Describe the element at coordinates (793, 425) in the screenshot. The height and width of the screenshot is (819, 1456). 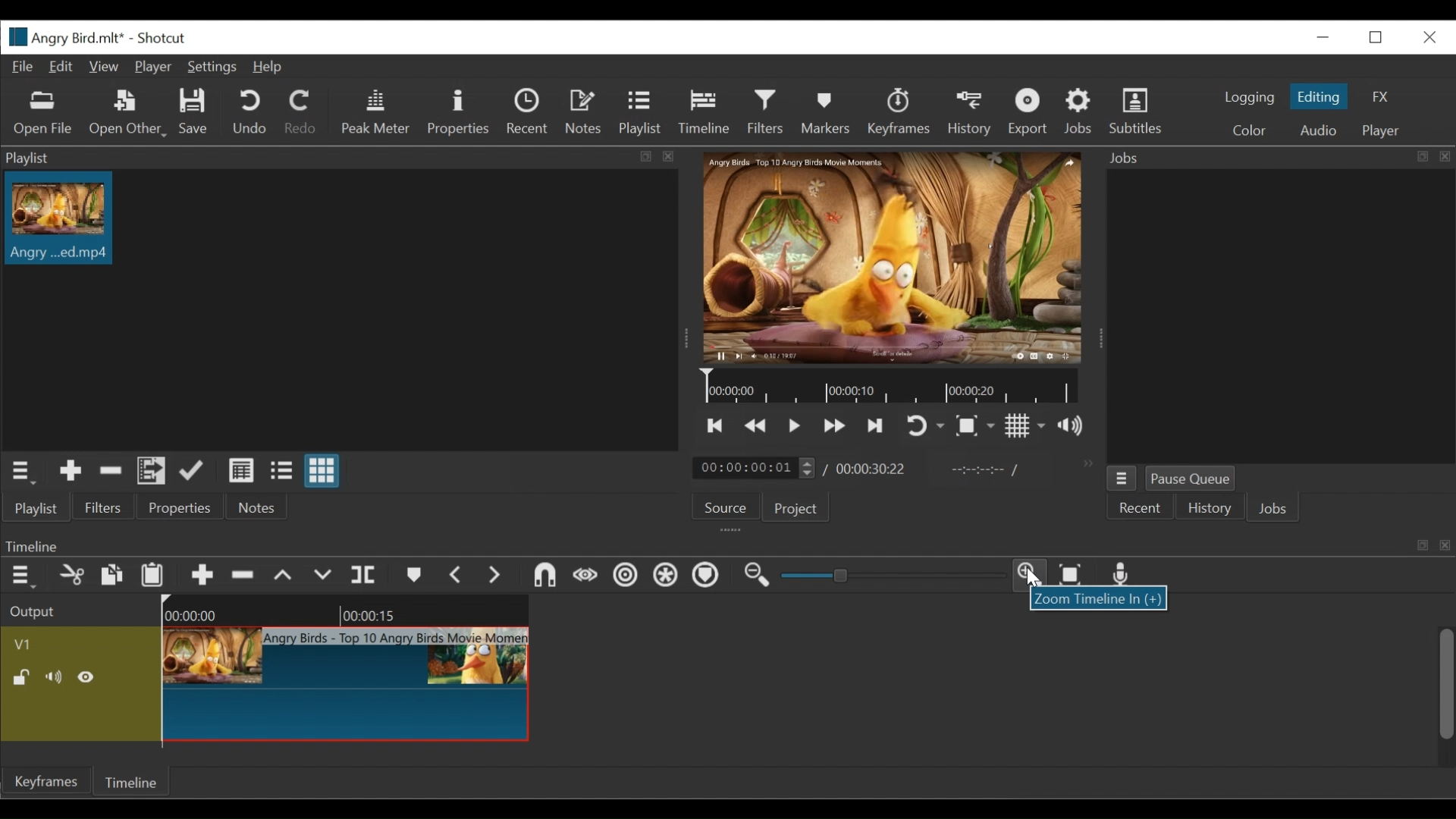
I see `Toggle play or pause` at that location.